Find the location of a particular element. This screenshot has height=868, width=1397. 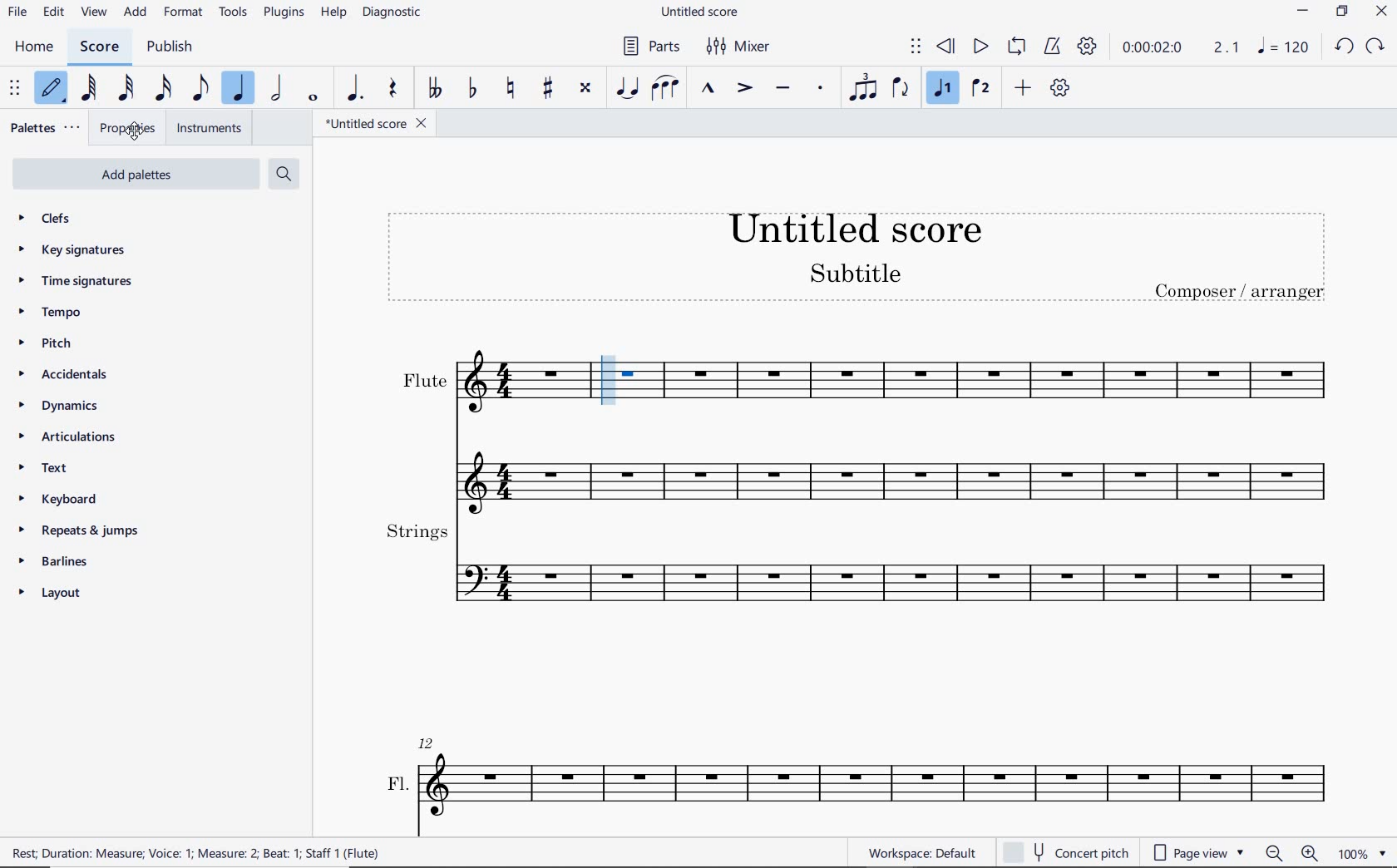

PLAY is located at coordinates (977, 47).